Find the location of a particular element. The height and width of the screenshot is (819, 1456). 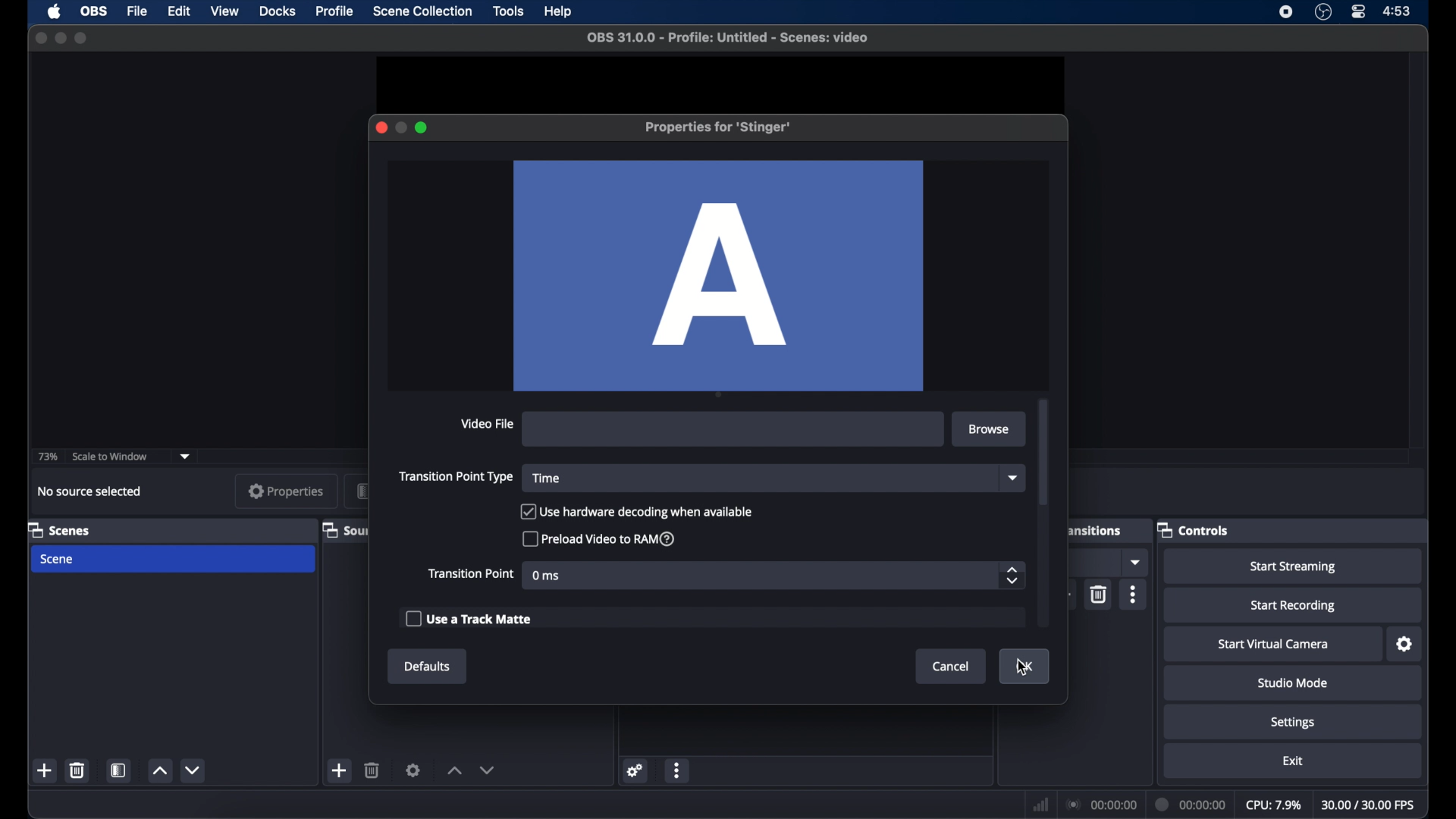

view is located at coordinates (224, 11).